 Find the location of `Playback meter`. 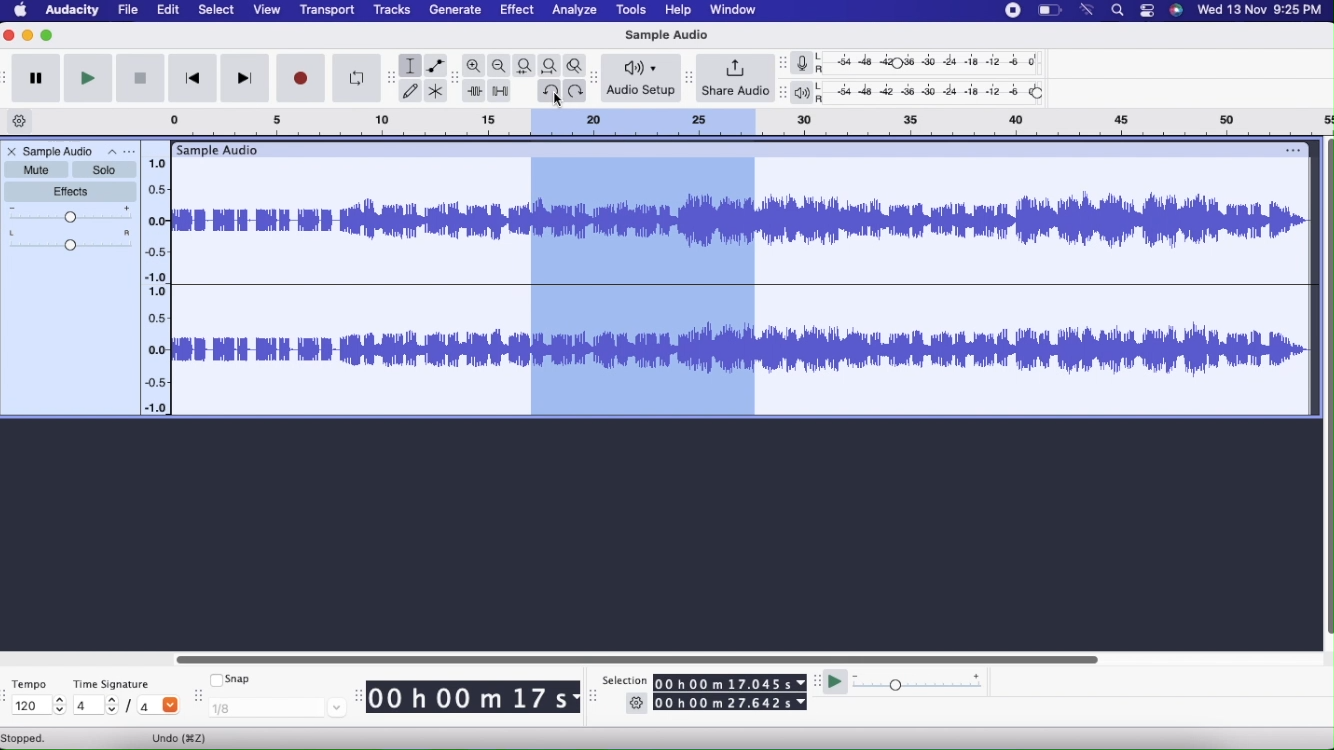

Playback meter is located at coordinates (807, 92).